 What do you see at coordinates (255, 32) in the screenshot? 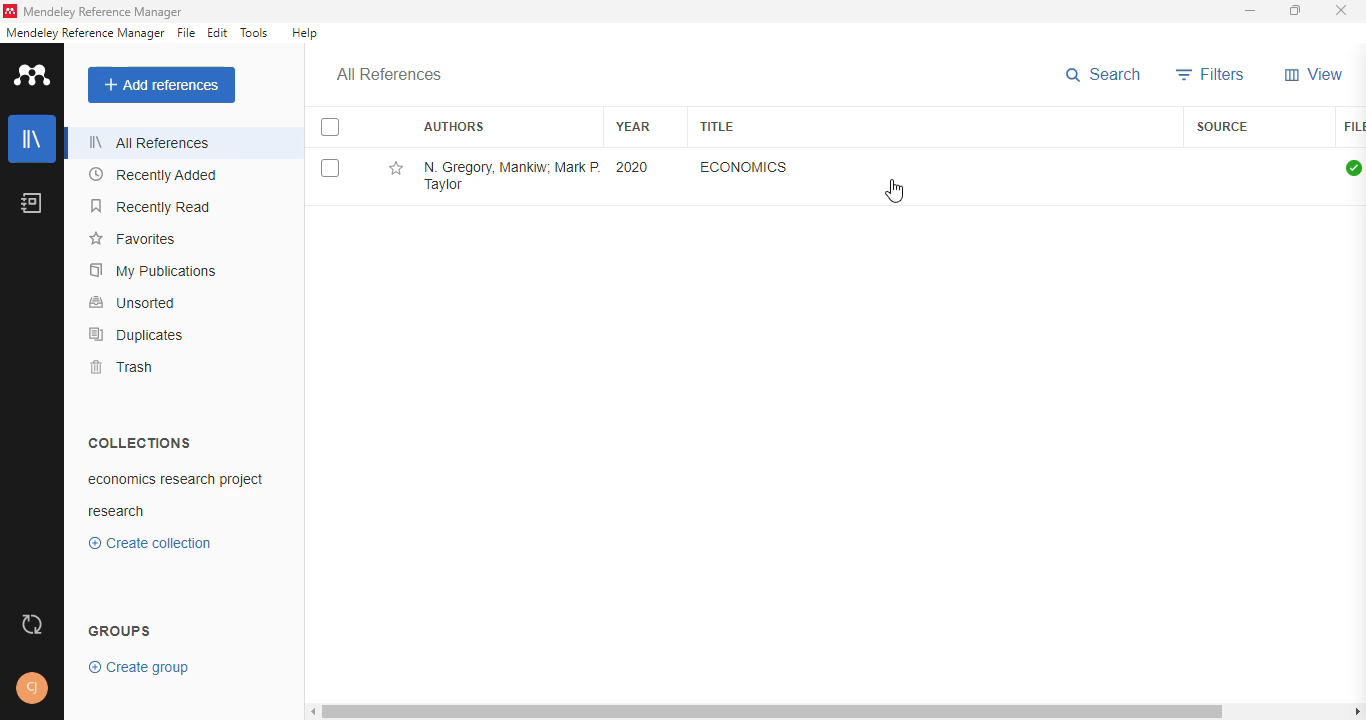
I see `tools` at bounding box center [255, 32].